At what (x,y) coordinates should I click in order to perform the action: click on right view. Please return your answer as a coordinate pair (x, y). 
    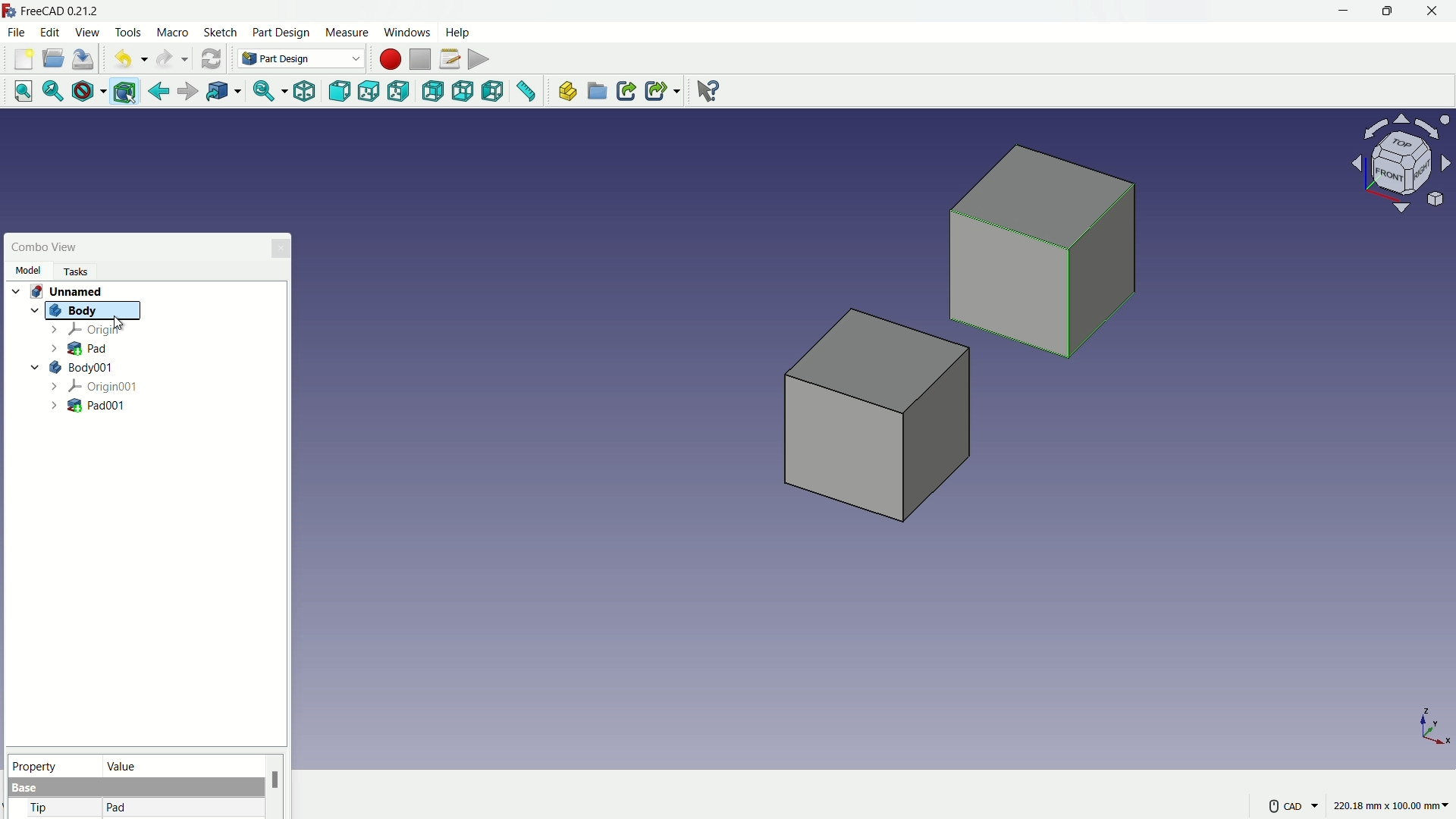
    Looking at the image, I should click on (400, 94).